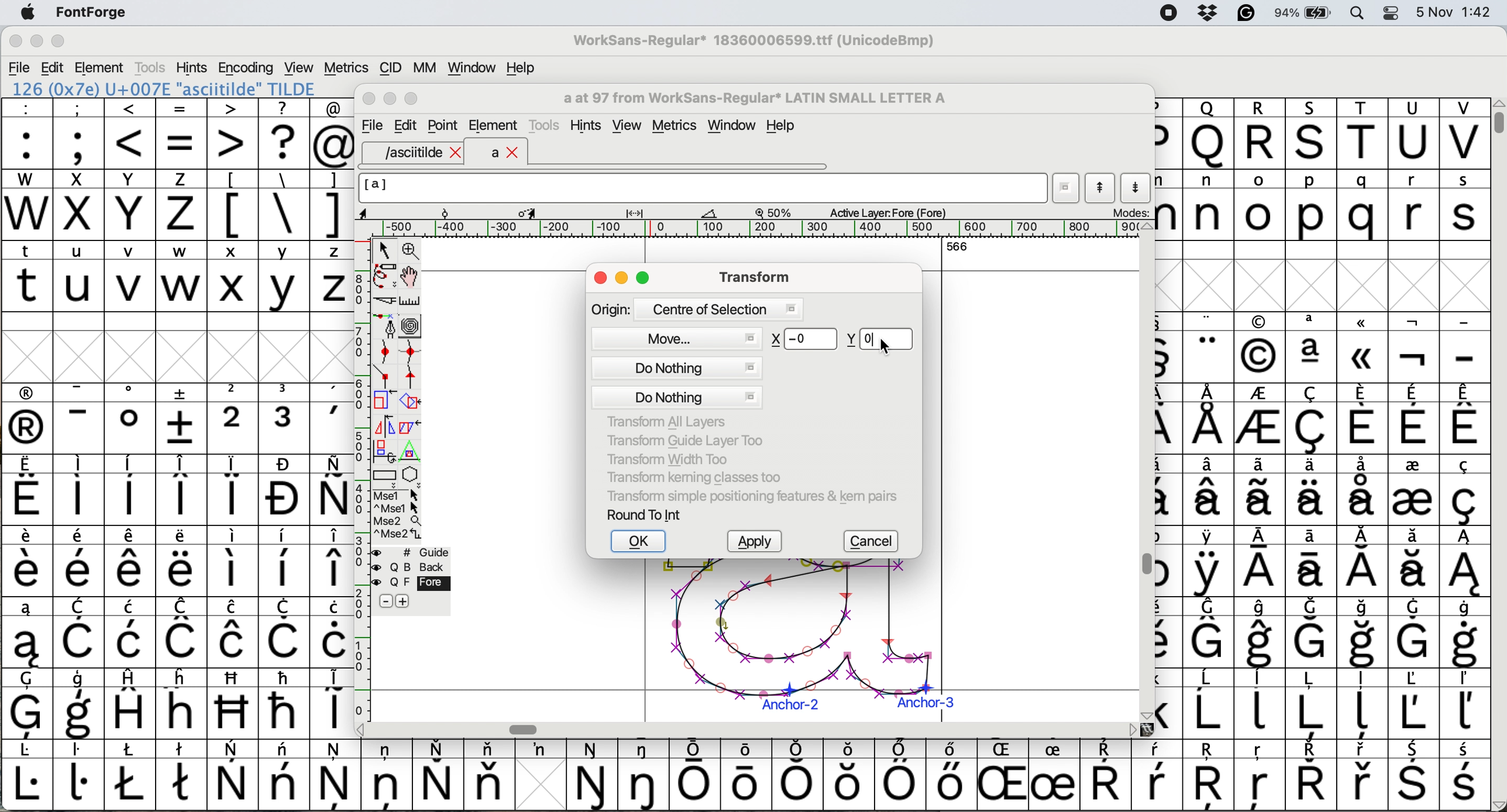 Image resolution: width=1507 pixels, height=812 pixels. I want to click on symbol, so click(1413, 562).